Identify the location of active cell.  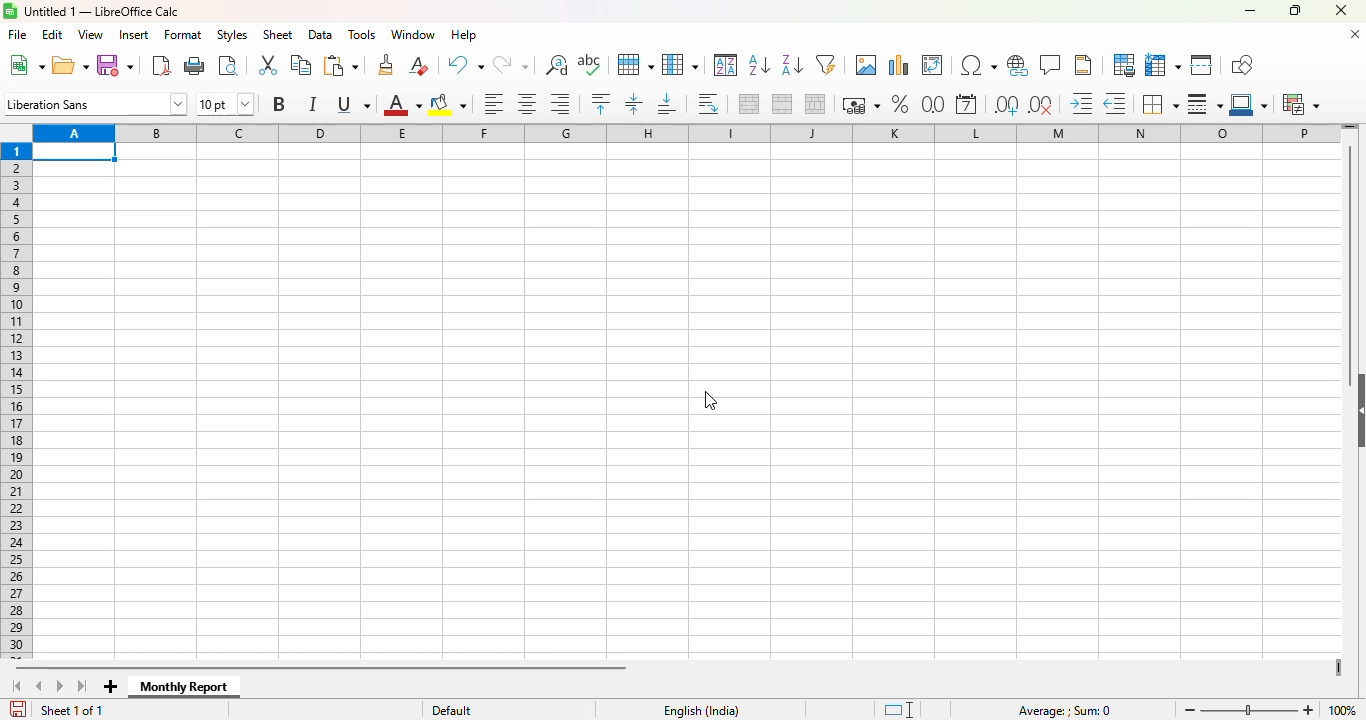
(75, 152).